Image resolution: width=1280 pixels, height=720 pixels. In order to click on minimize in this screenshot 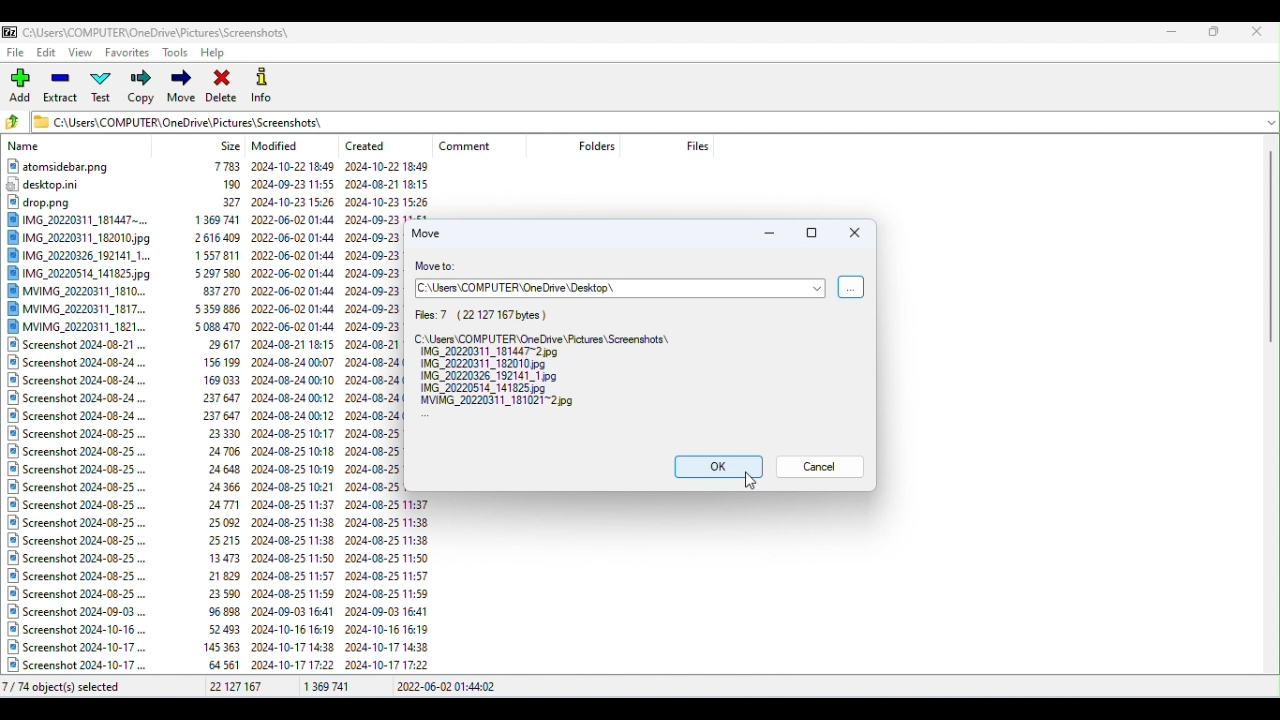, I will do `click(769, 235)`.